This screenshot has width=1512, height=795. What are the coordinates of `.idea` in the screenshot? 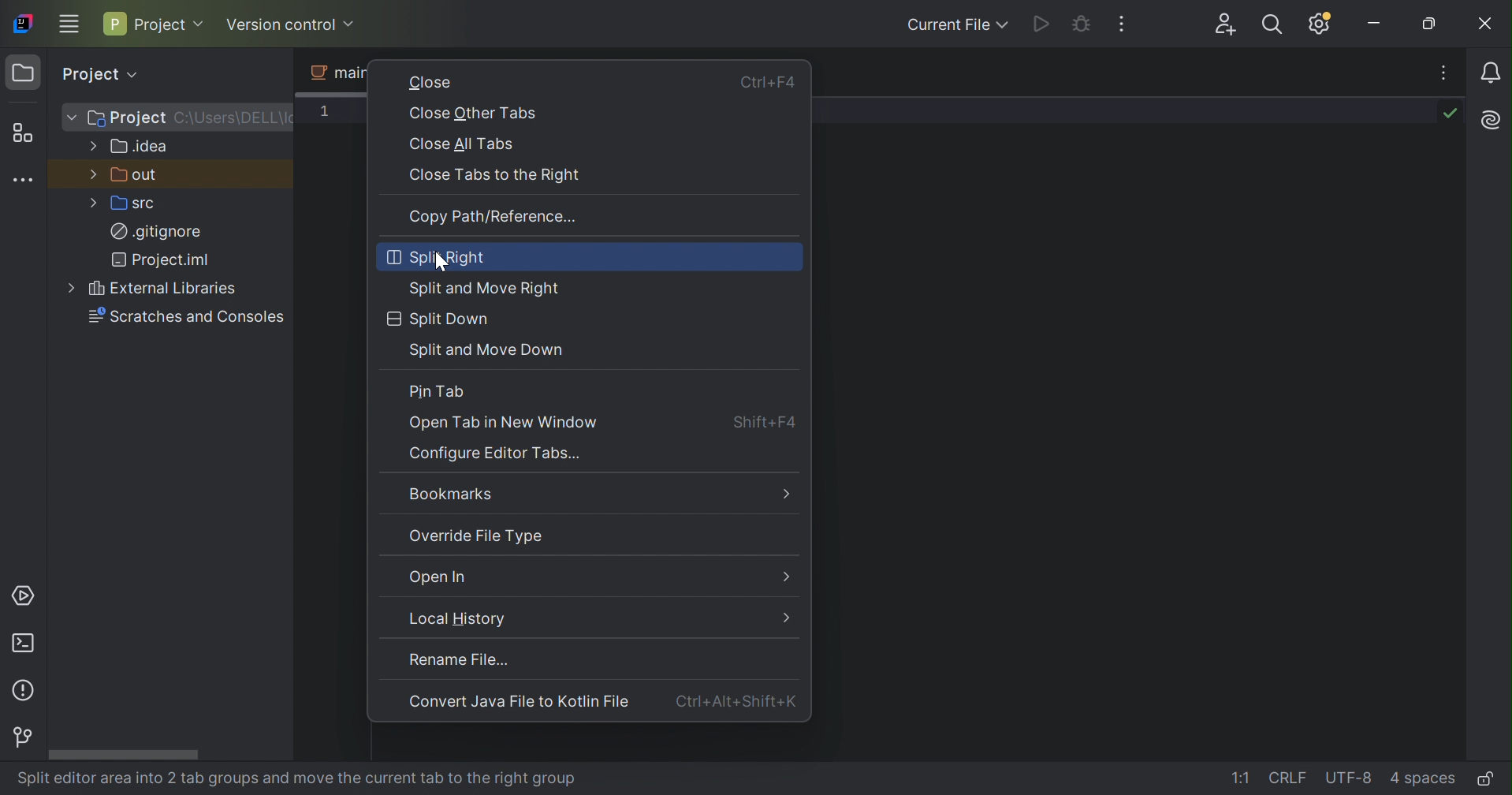 It's located at (140, 147).